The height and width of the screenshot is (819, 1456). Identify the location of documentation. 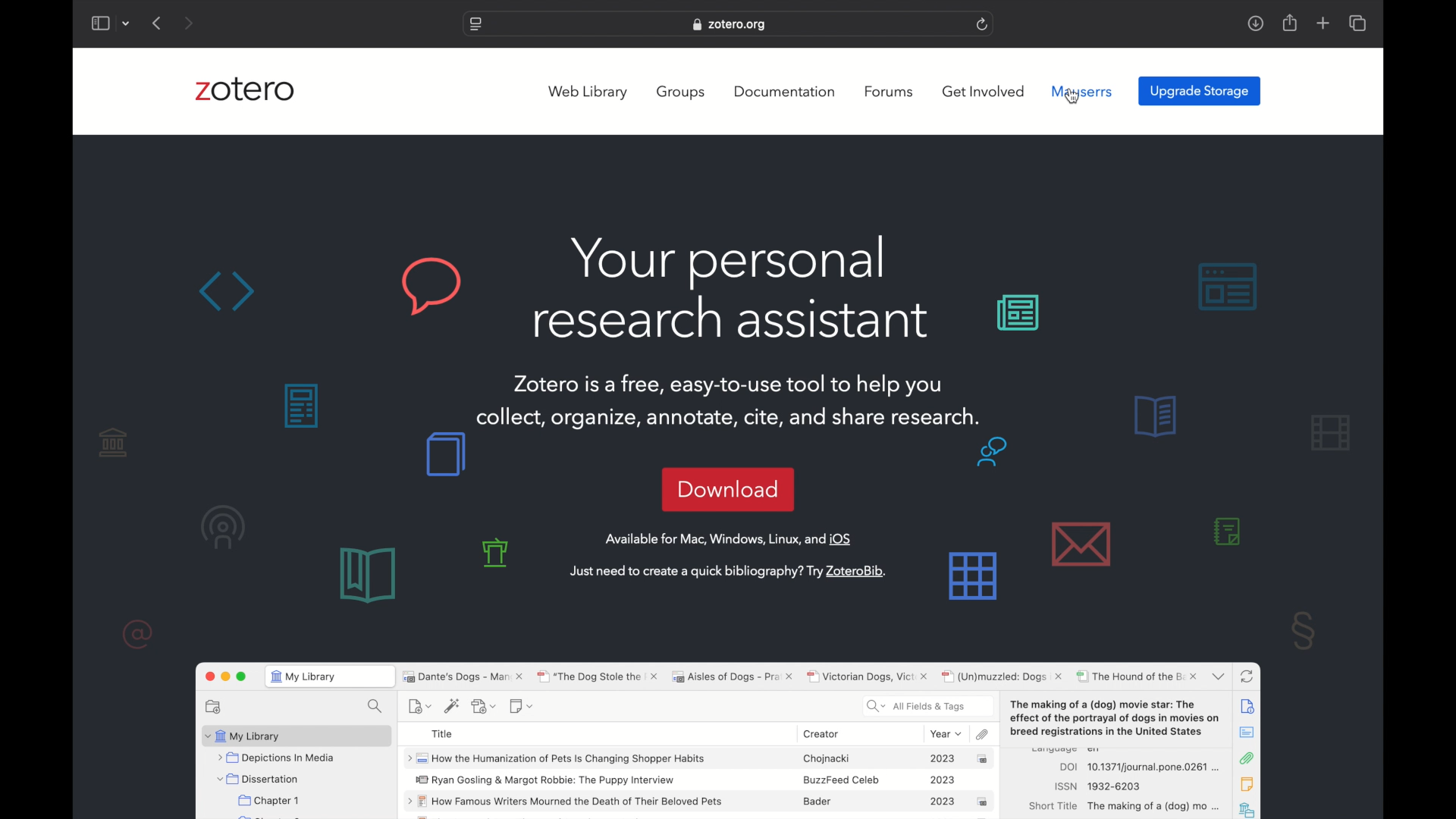
(786, 90).